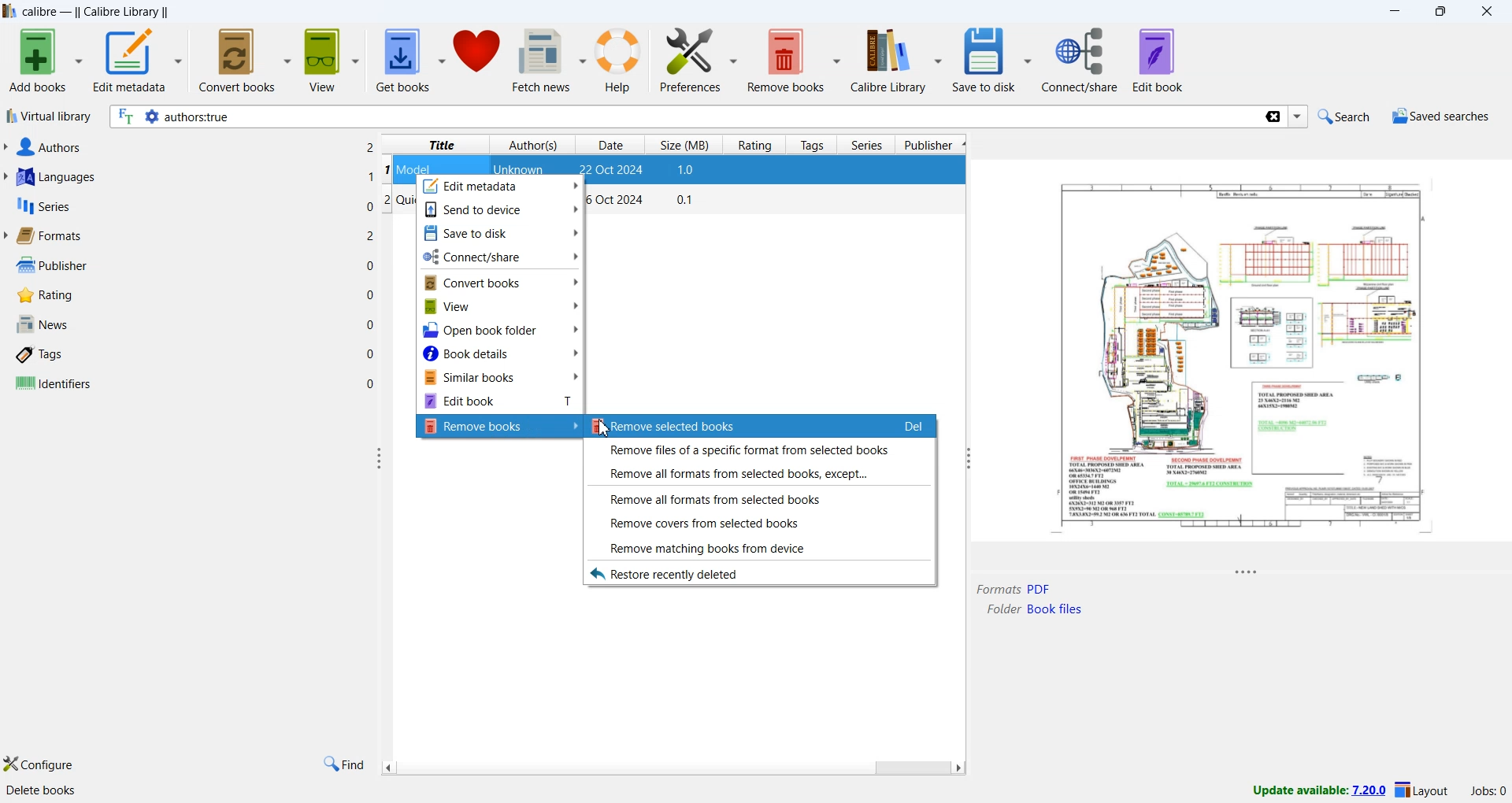  What do you see at coordinates (521, 168) in the screenshot?
I see `unknown` at bounding box center [521, 168].